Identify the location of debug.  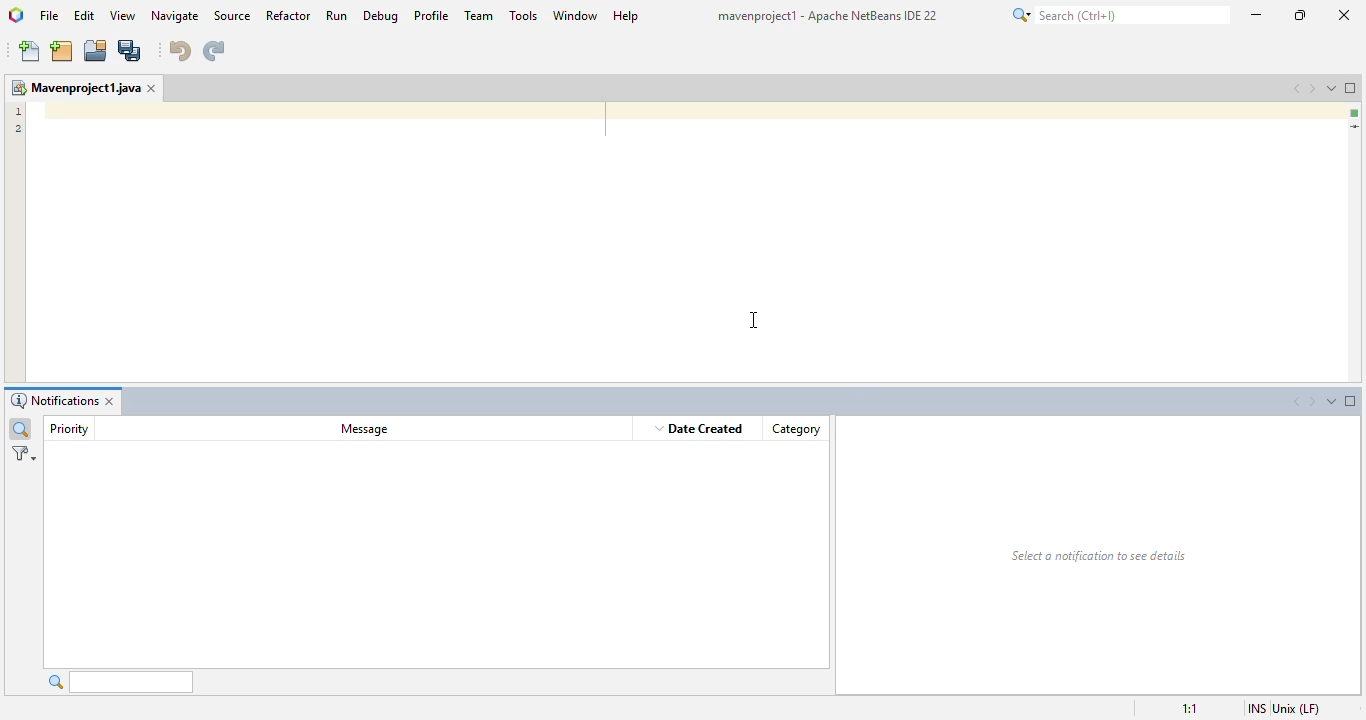
(381, 16).